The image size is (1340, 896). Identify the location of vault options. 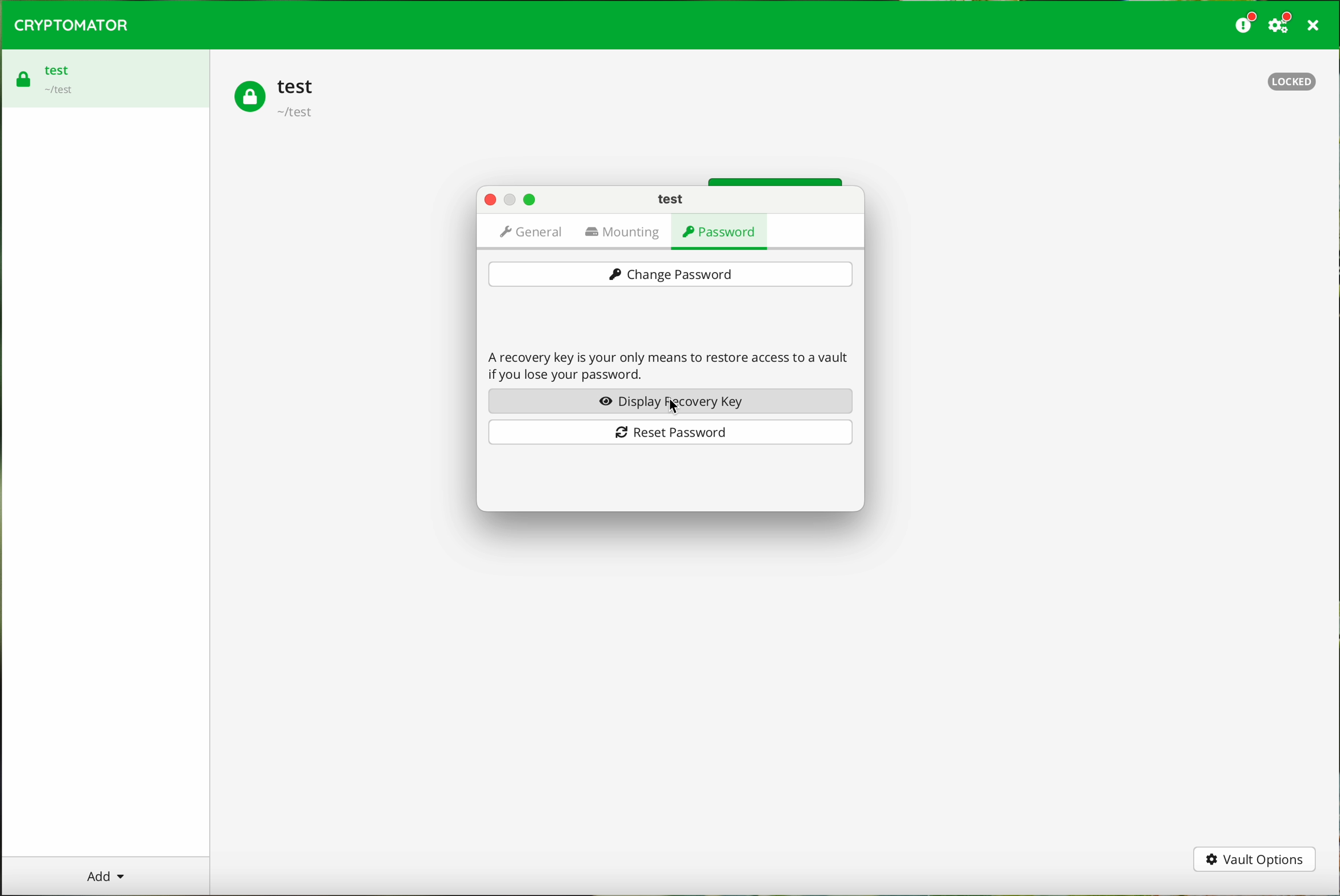
(1255, 859).